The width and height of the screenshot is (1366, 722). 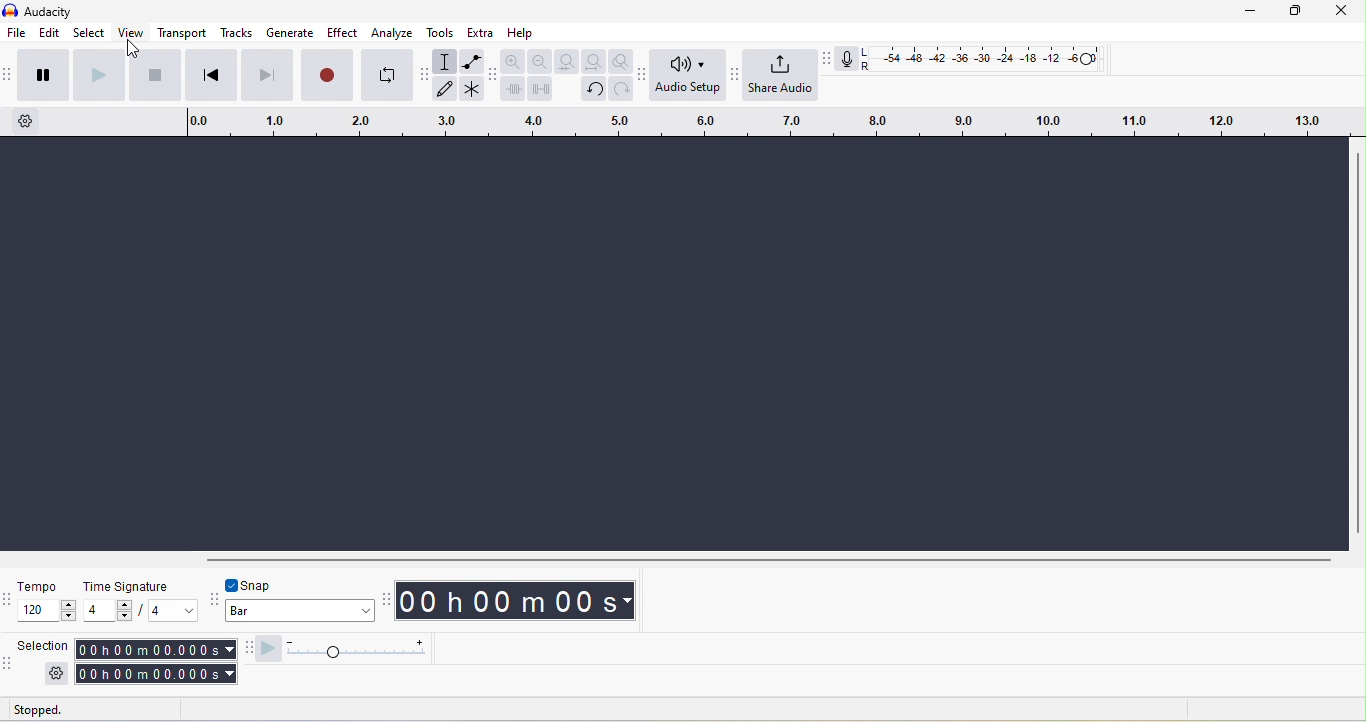 I want to click on share audio toolbar, so click(x=733, y=73).